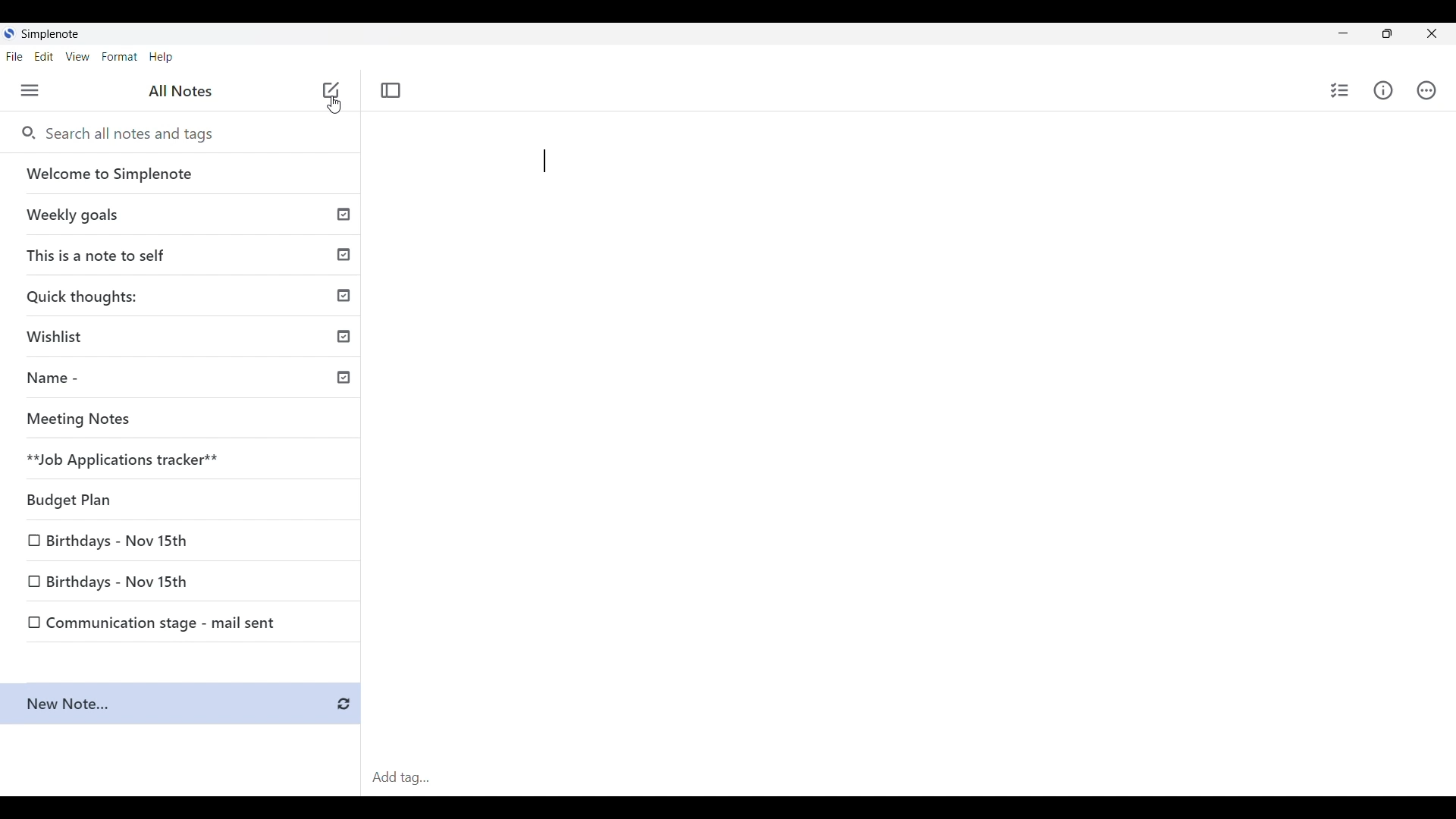  What do you see at coordinates (187, 216) in the screenshot?
I see `Weekly goals` at bounding box center [187, 216].